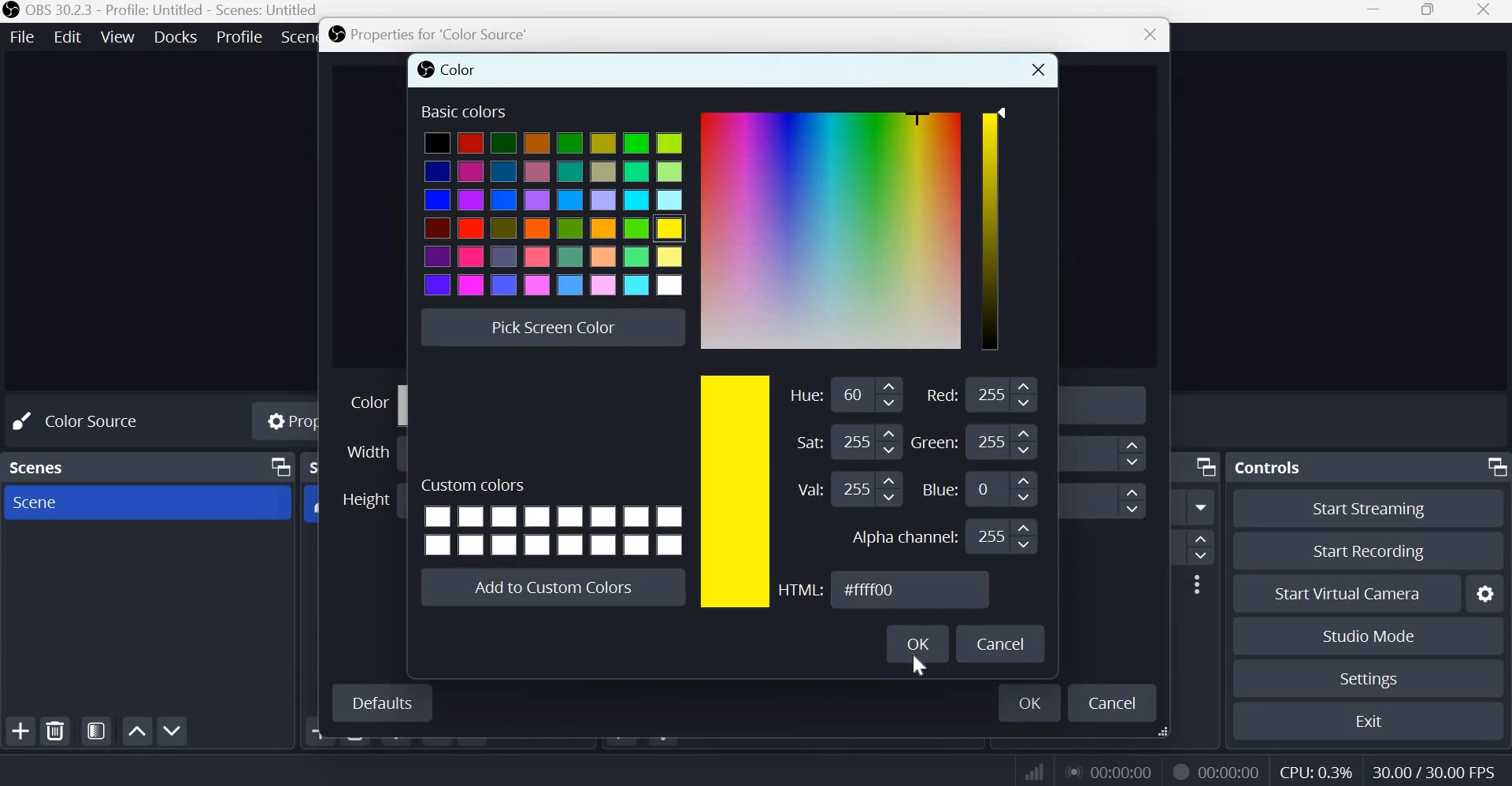 This screenshot has width=1512, height=786. Describe the element at coordinates (911, 589) in the screenshot. I see `HTML Color Code` at that location.